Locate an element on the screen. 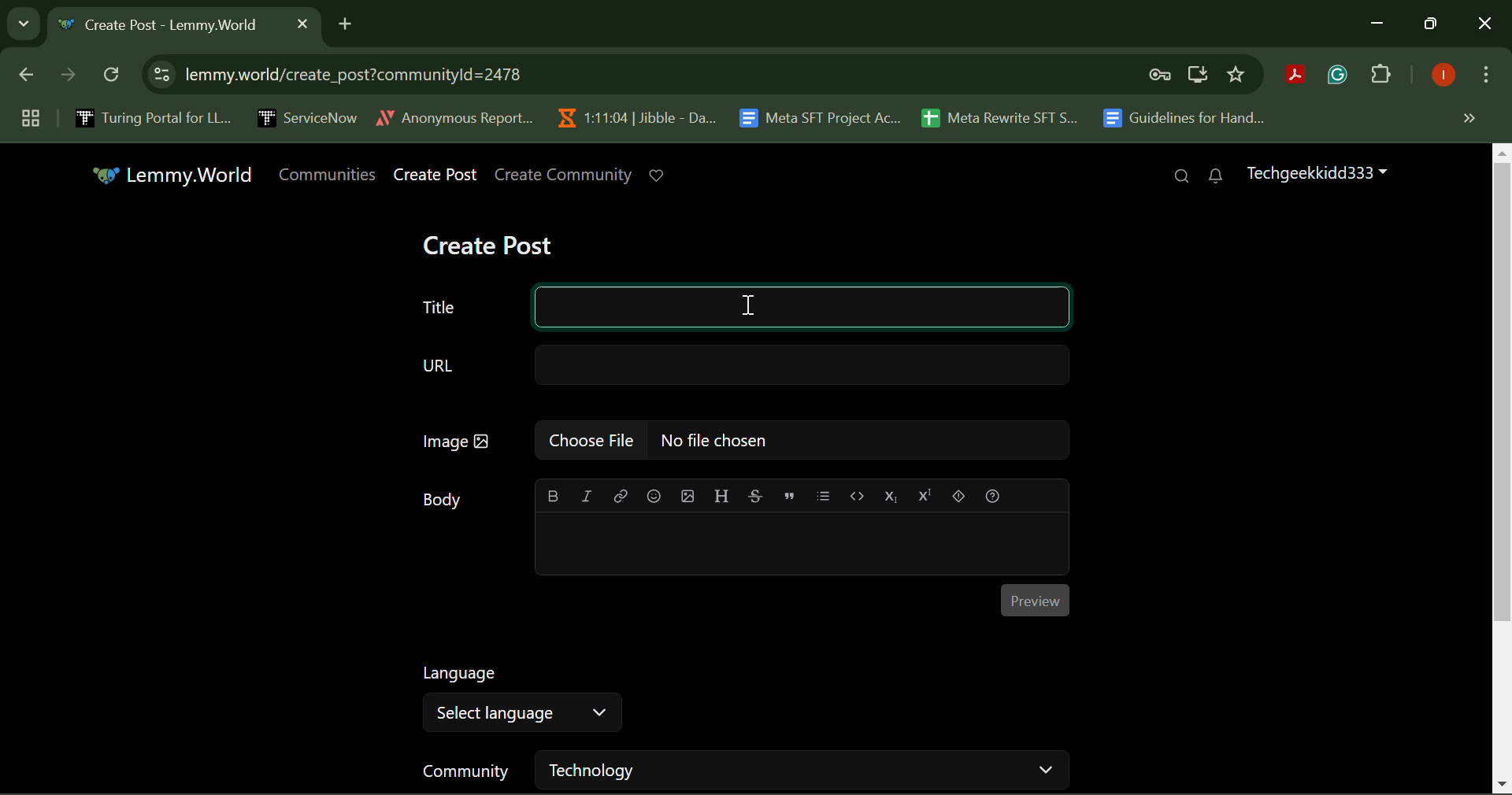 The width and height of the screenshot is (1512, 795). Search Tabs is located at coordinates (20, 21).